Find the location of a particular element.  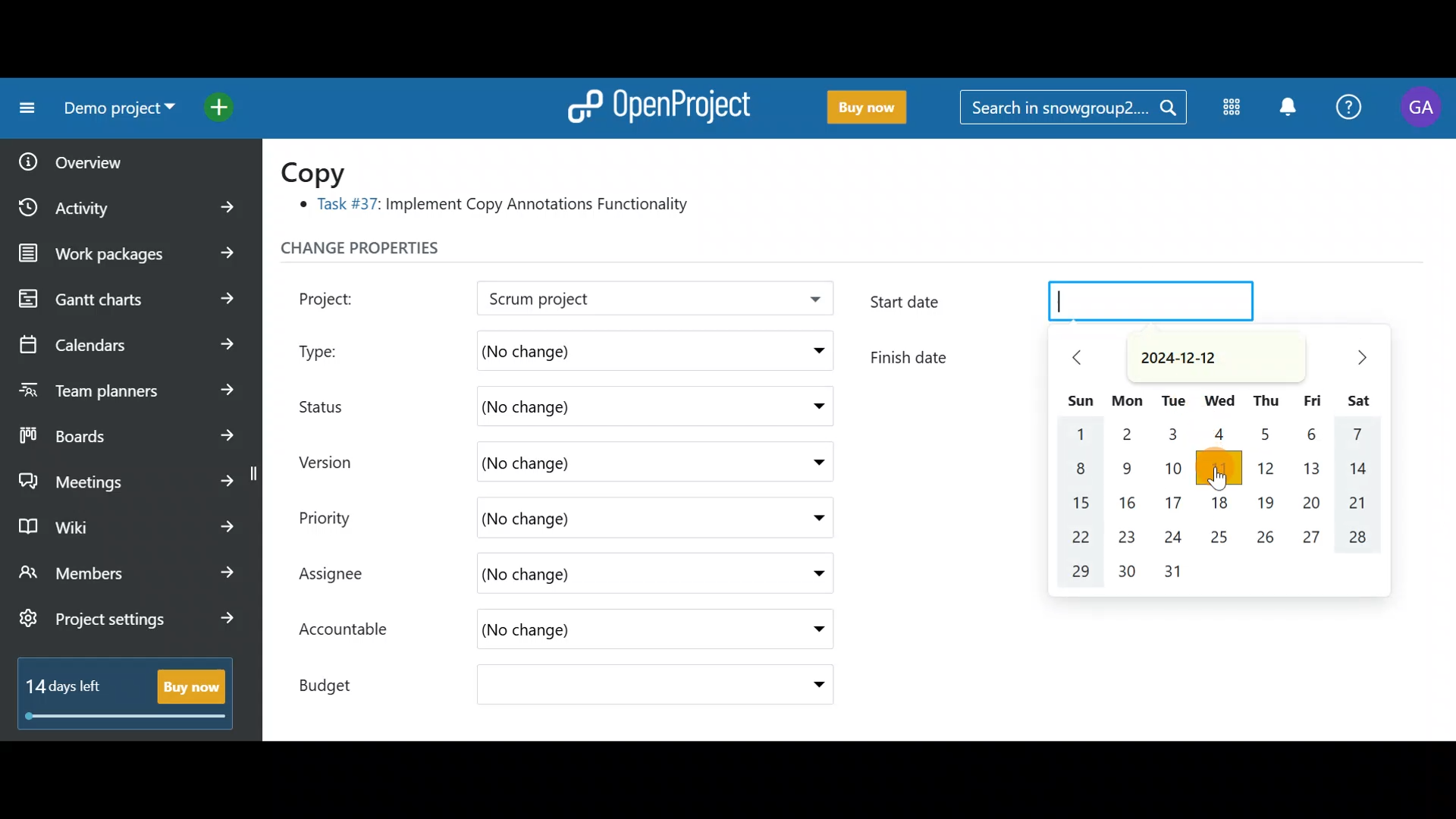

Wiki is located at coordinates (124, 522).